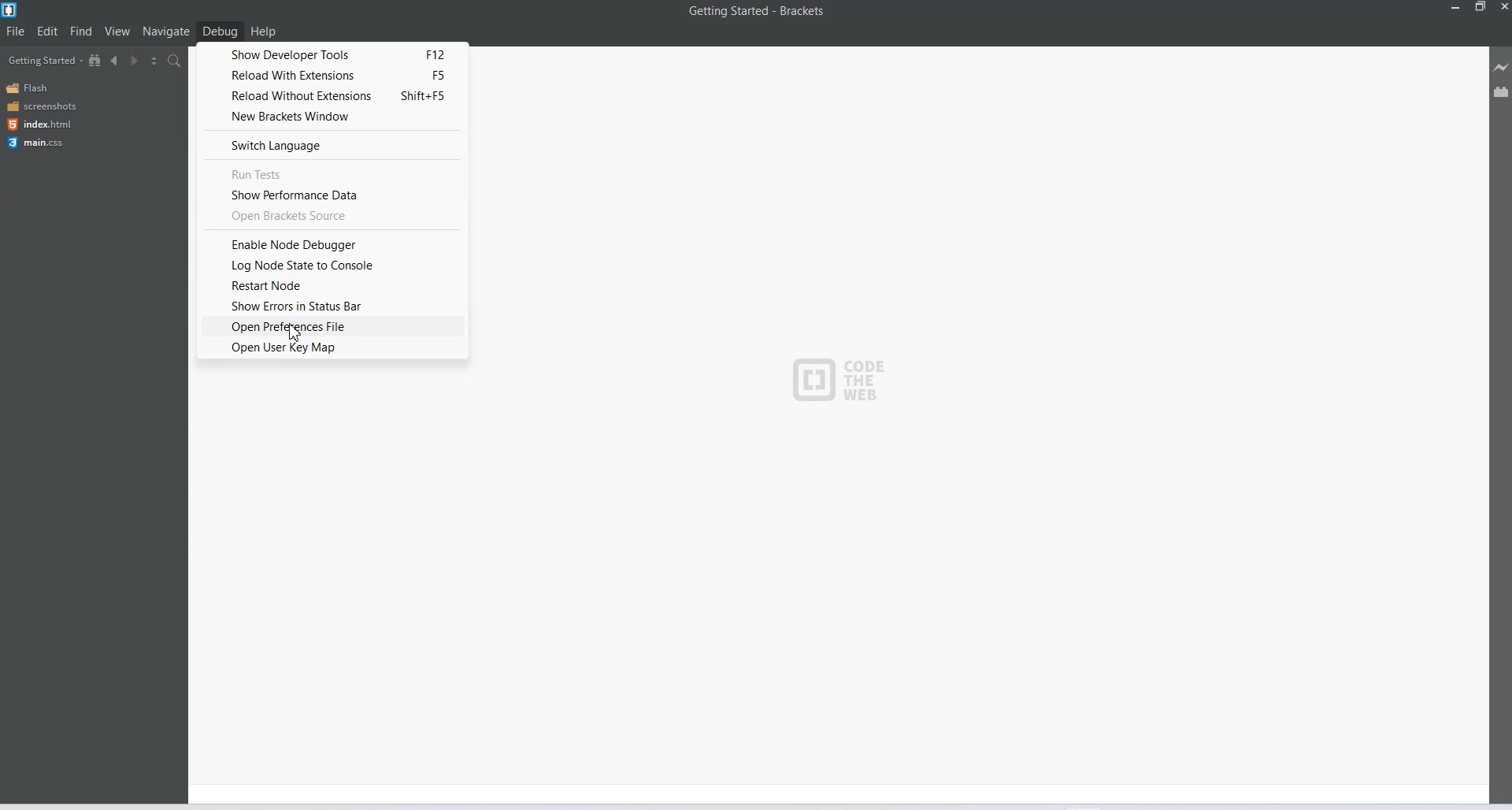 The height and width of the screenshot is (810, 1512). I want to click on CODE THE WEB, so click(839, 377).